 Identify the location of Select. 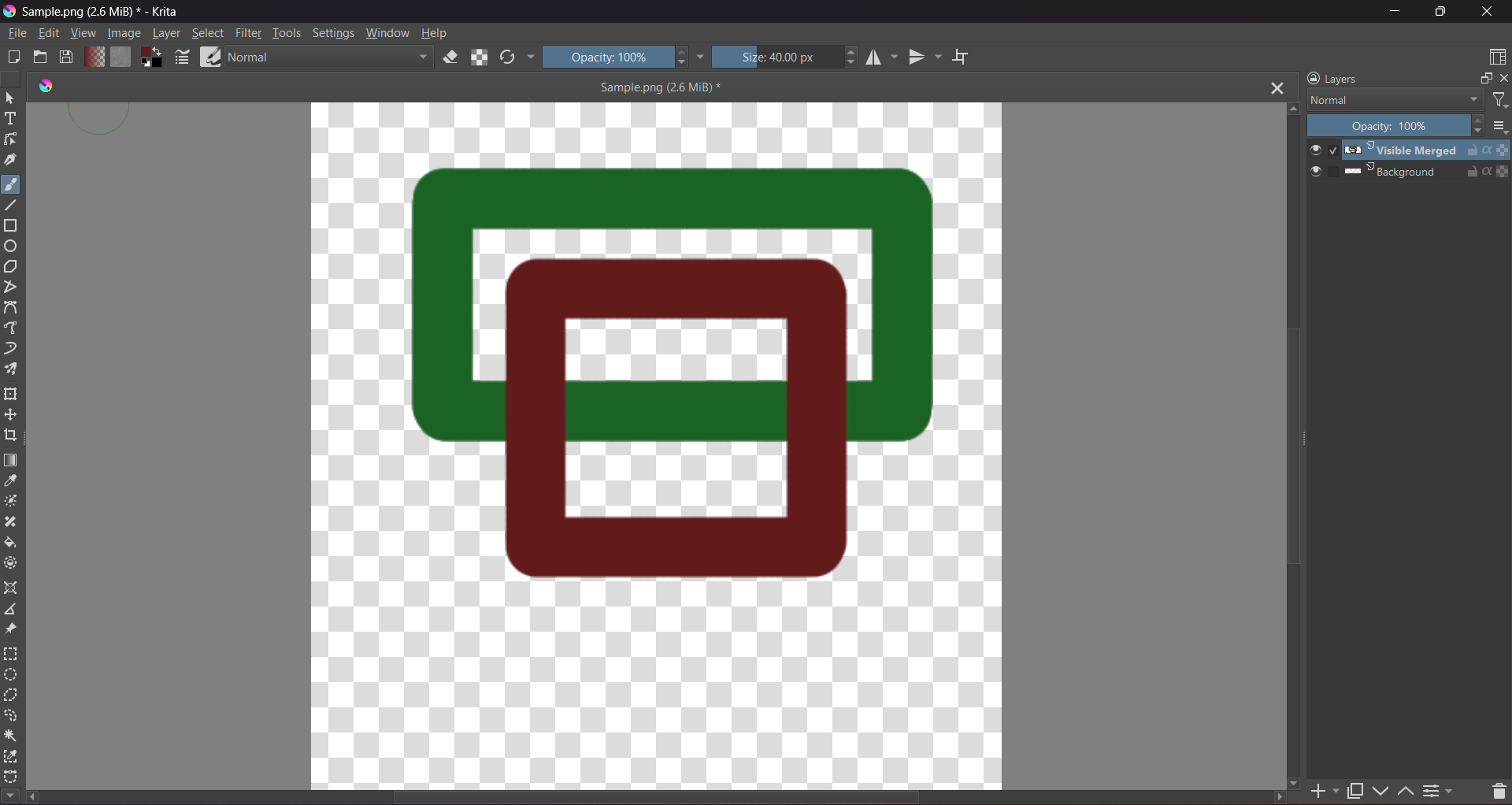
(10, 98).